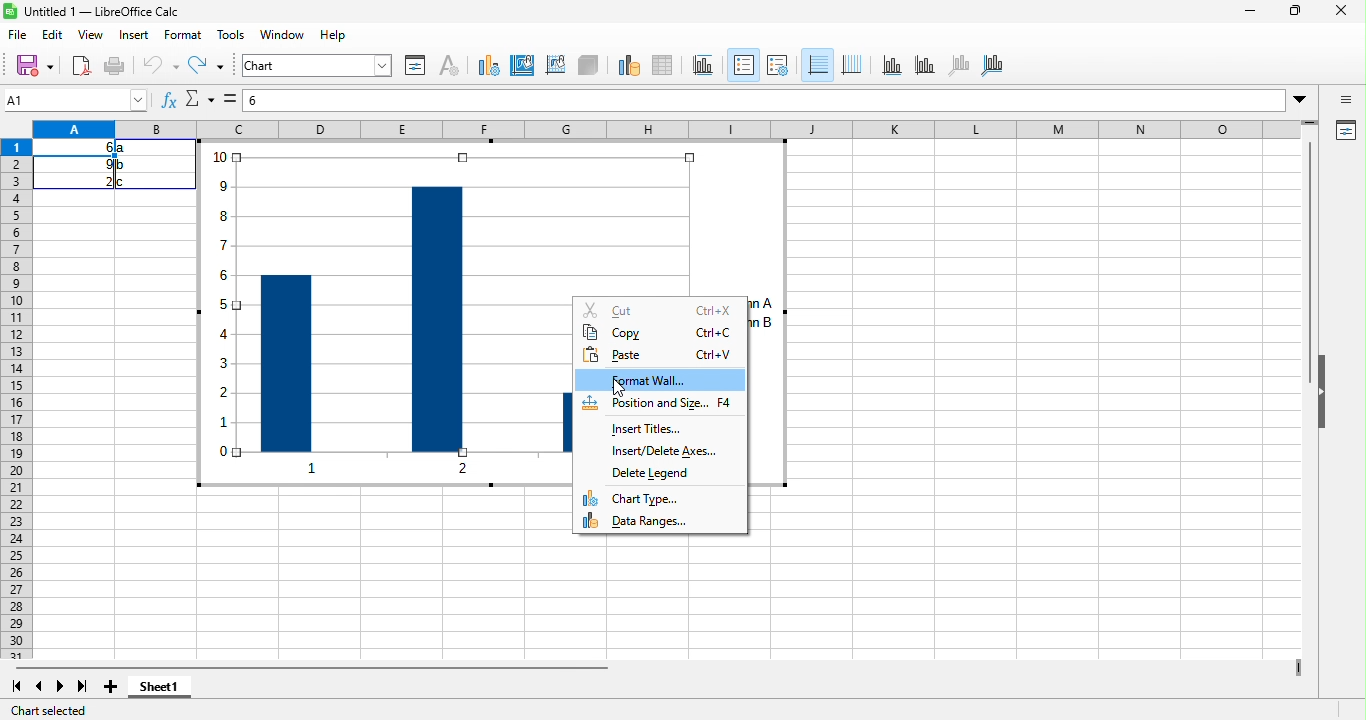 The width and height of the screenshot is (1366, 720). I want to click on cursor movement, so click(618, 386).